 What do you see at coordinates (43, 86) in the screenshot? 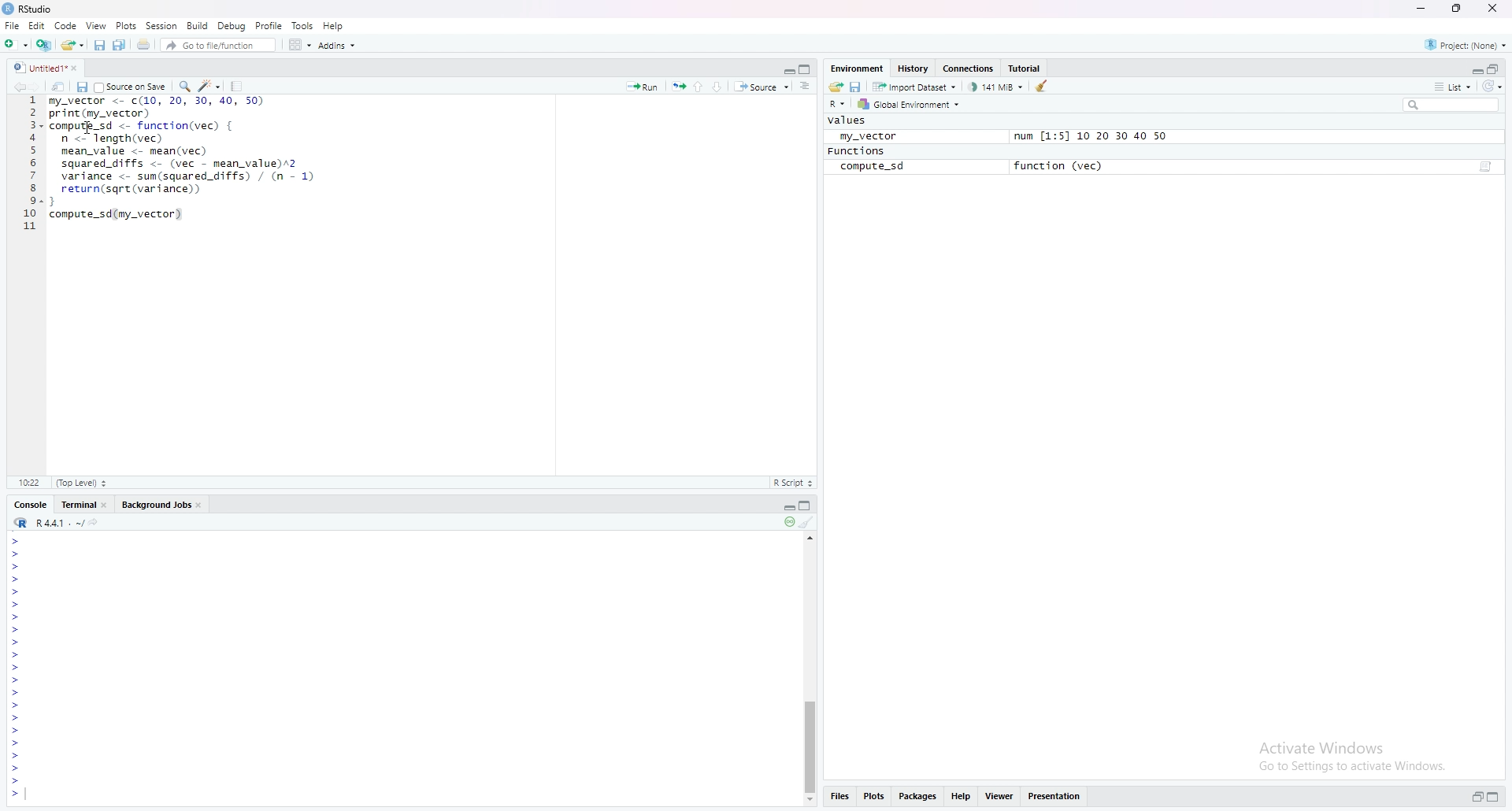
I see `Go forward to the next source location(Ctrl + F10)` at bounding box center [43, 86].